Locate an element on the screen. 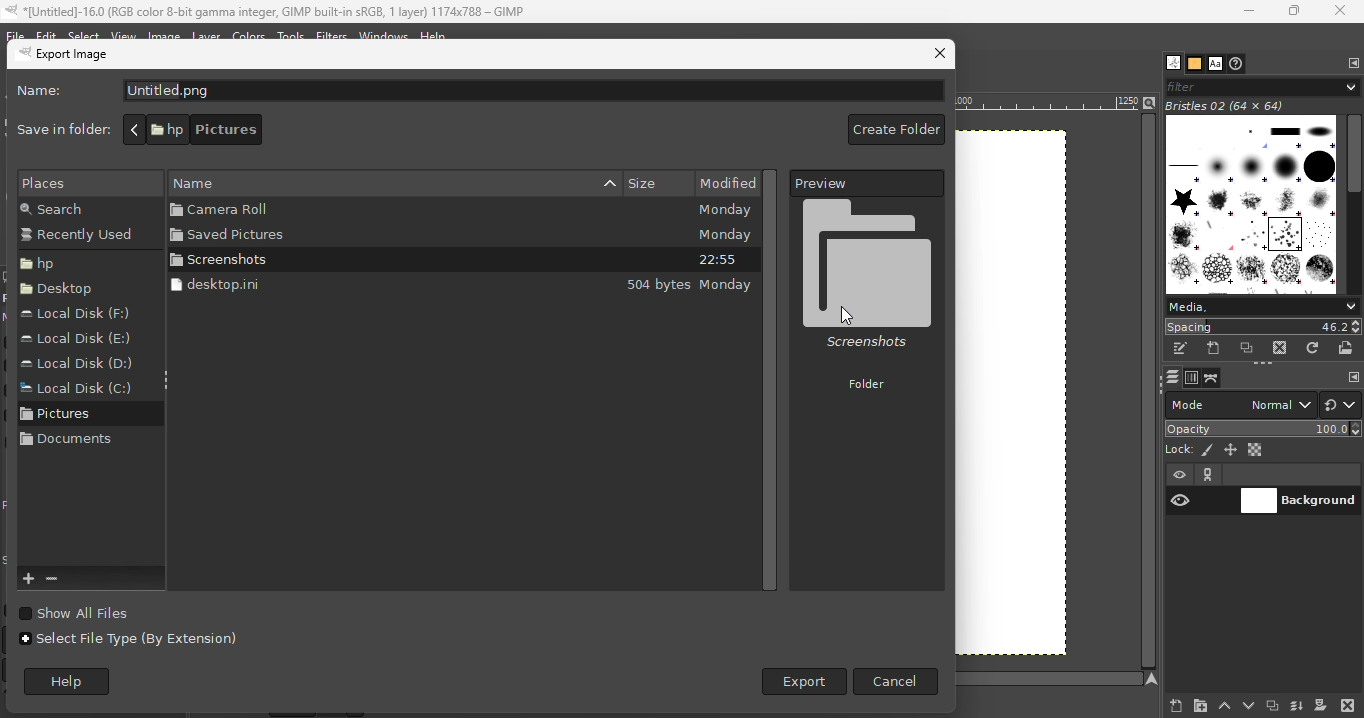  504 bytes Monday is located at coordinates (690, 286).